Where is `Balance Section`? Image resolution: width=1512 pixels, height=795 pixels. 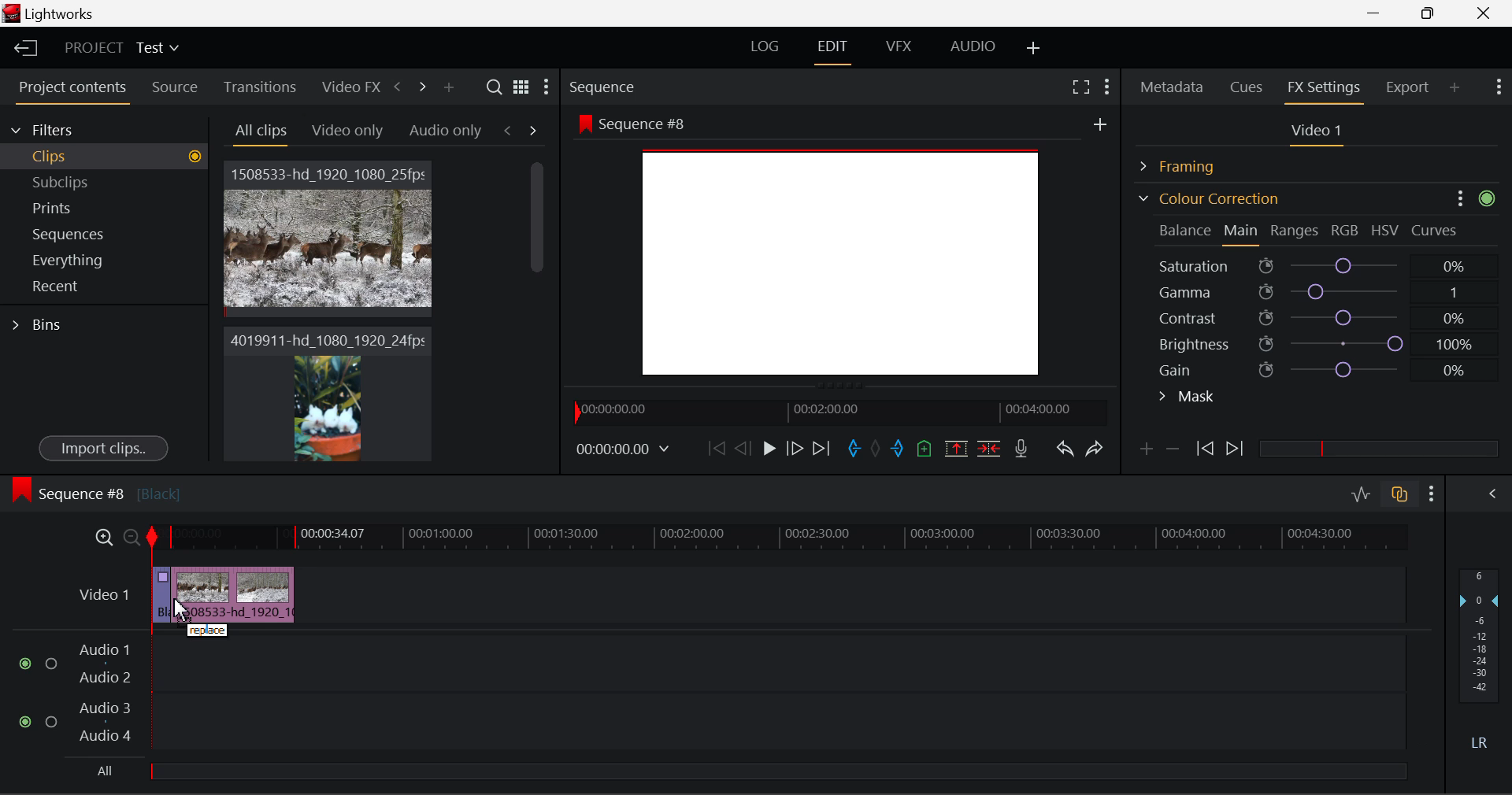
Balance Section is located at coordinates (1187, 230).